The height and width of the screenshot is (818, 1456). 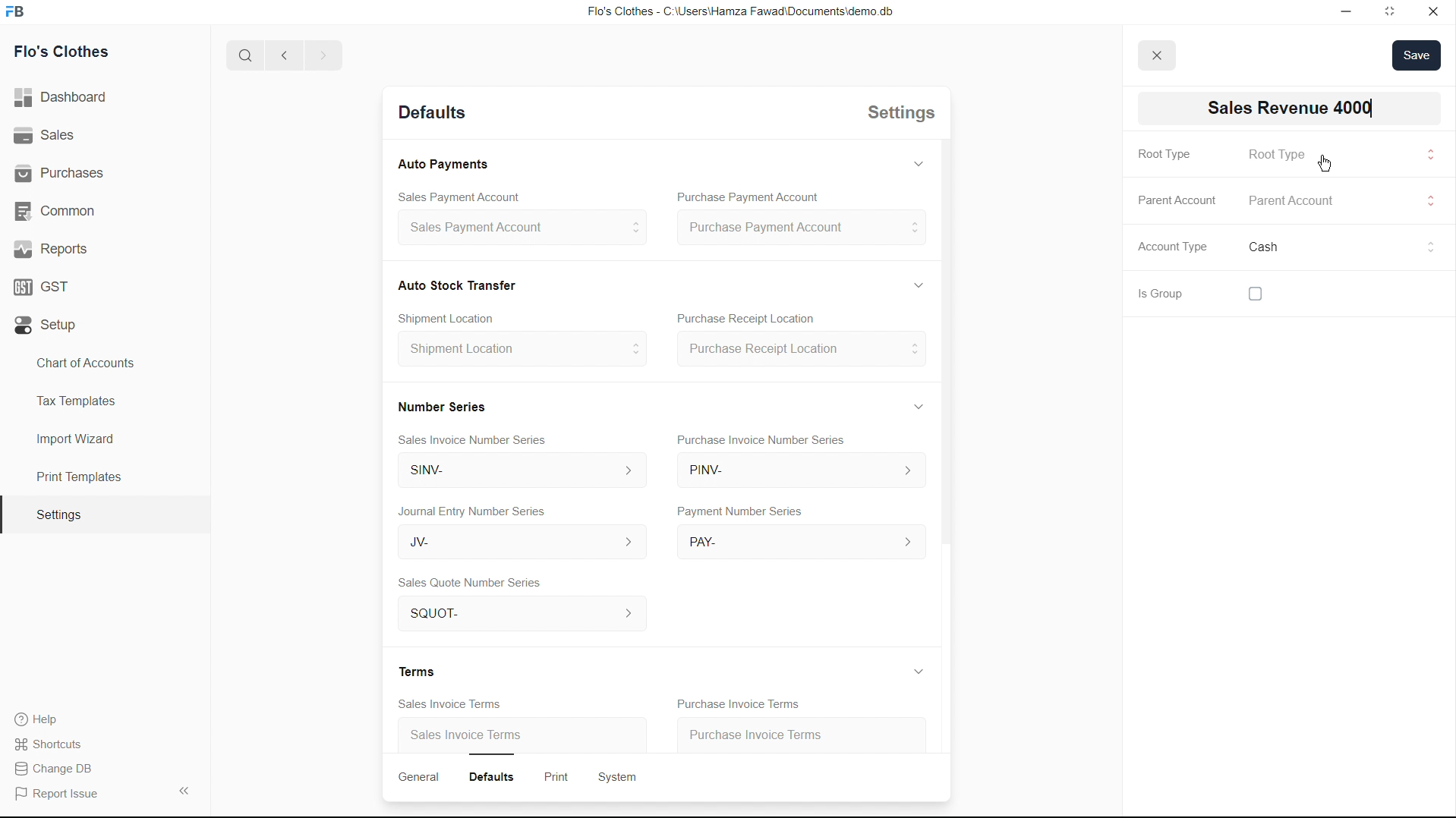 I want to click on Settings, so click(x=897, y=116).